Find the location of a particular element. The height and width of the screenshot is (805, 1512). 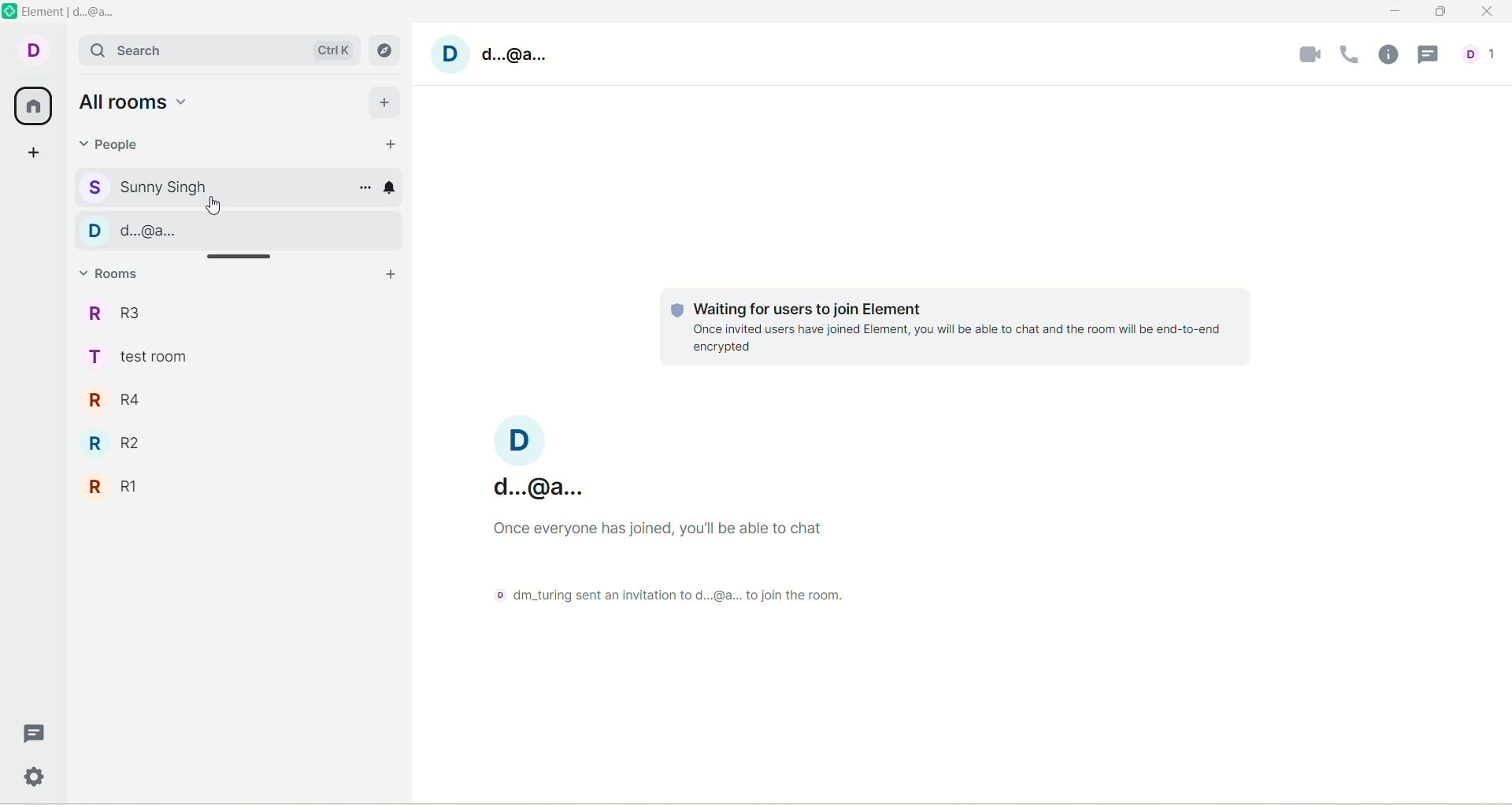

all rooms is located at coordinates (136, 101).